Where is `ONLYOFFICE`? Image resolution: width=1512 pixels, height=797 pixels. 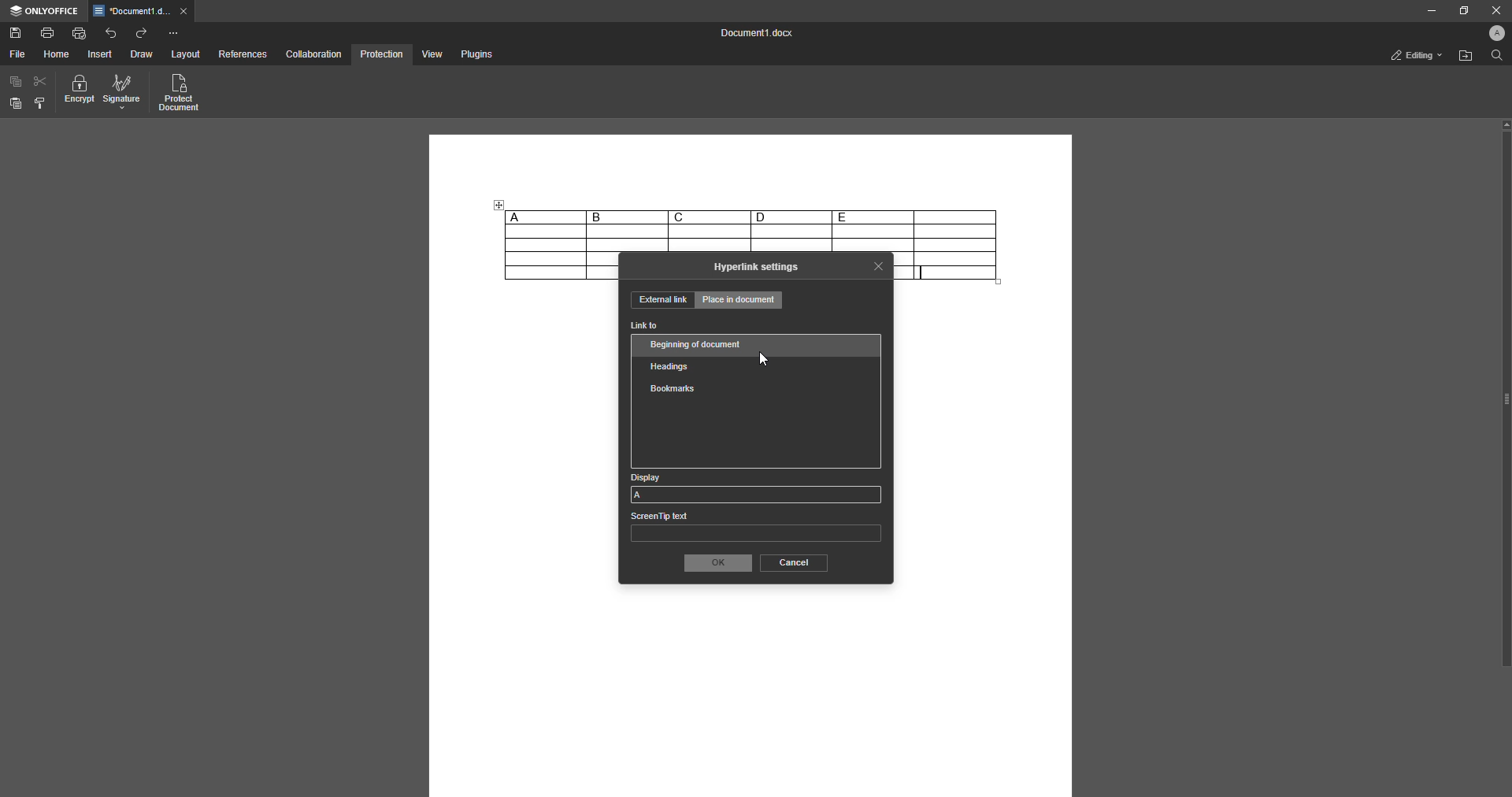
ONLYOFFICE is located at coordinates (44, 11).